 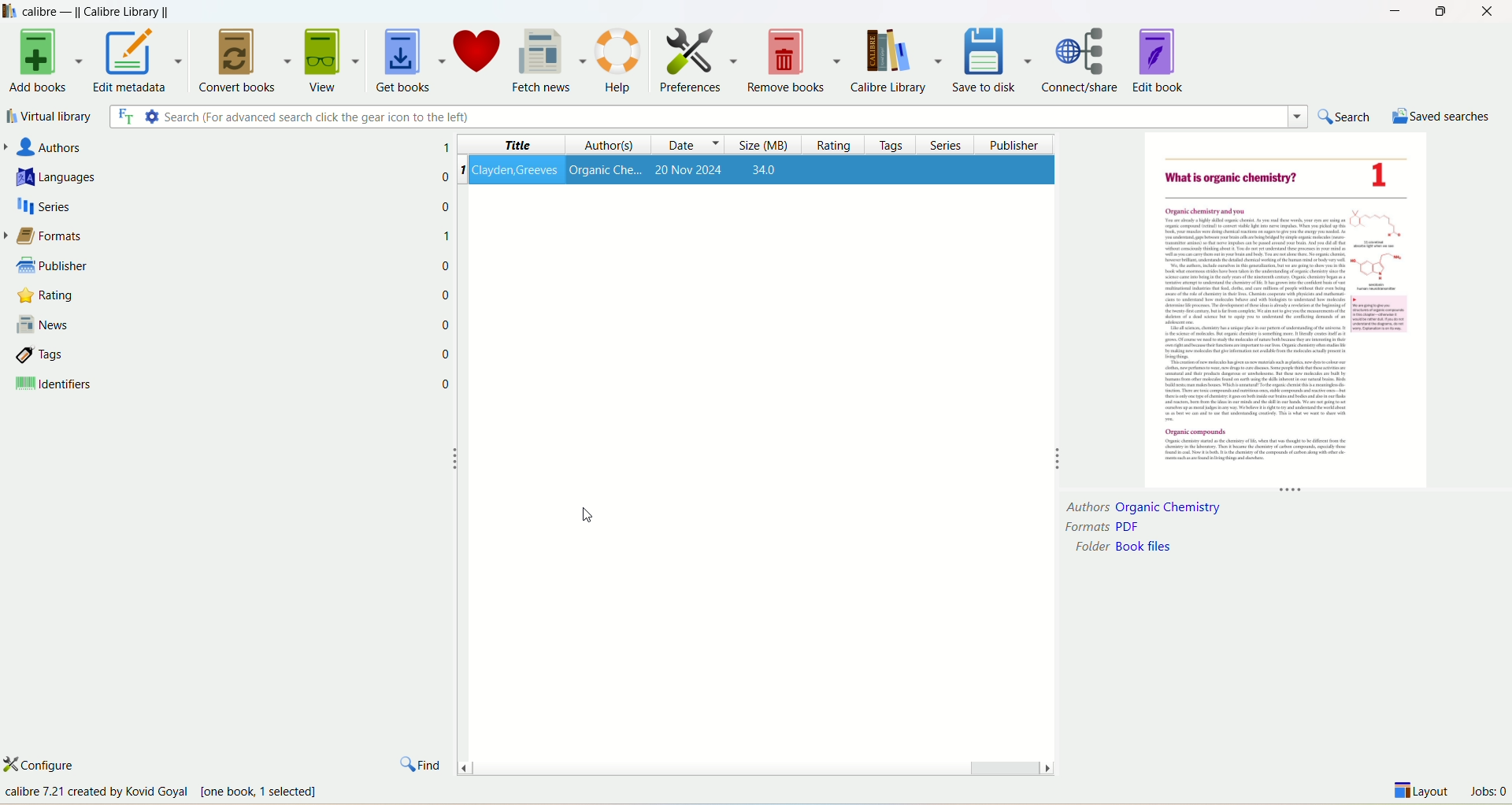 What do you see at coordinates (421, 761) in the screenshot?
I see `find` at bounding box center [421, 761].